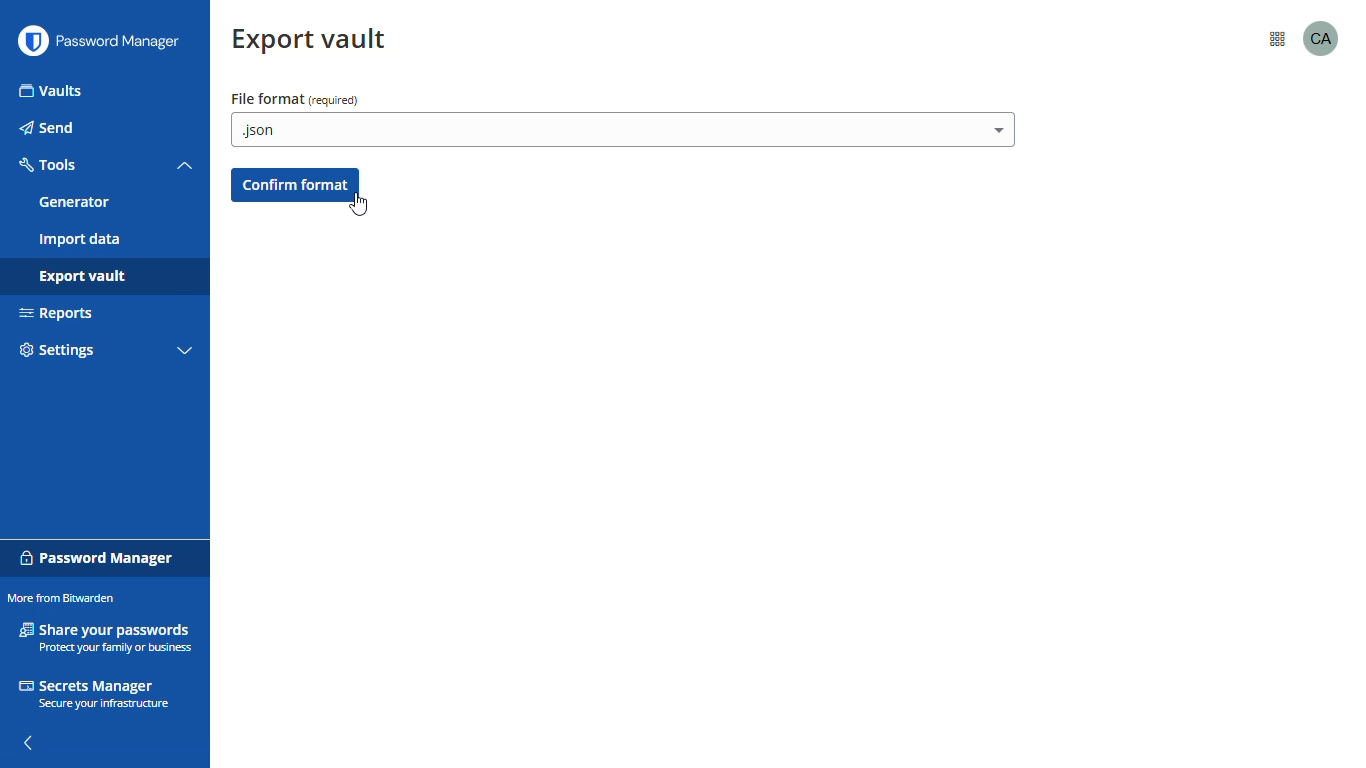 This screenshot has width=1366, height=768. Describe the element at coordinates (74, 202) in the screenshot. I see `generator` at that location.